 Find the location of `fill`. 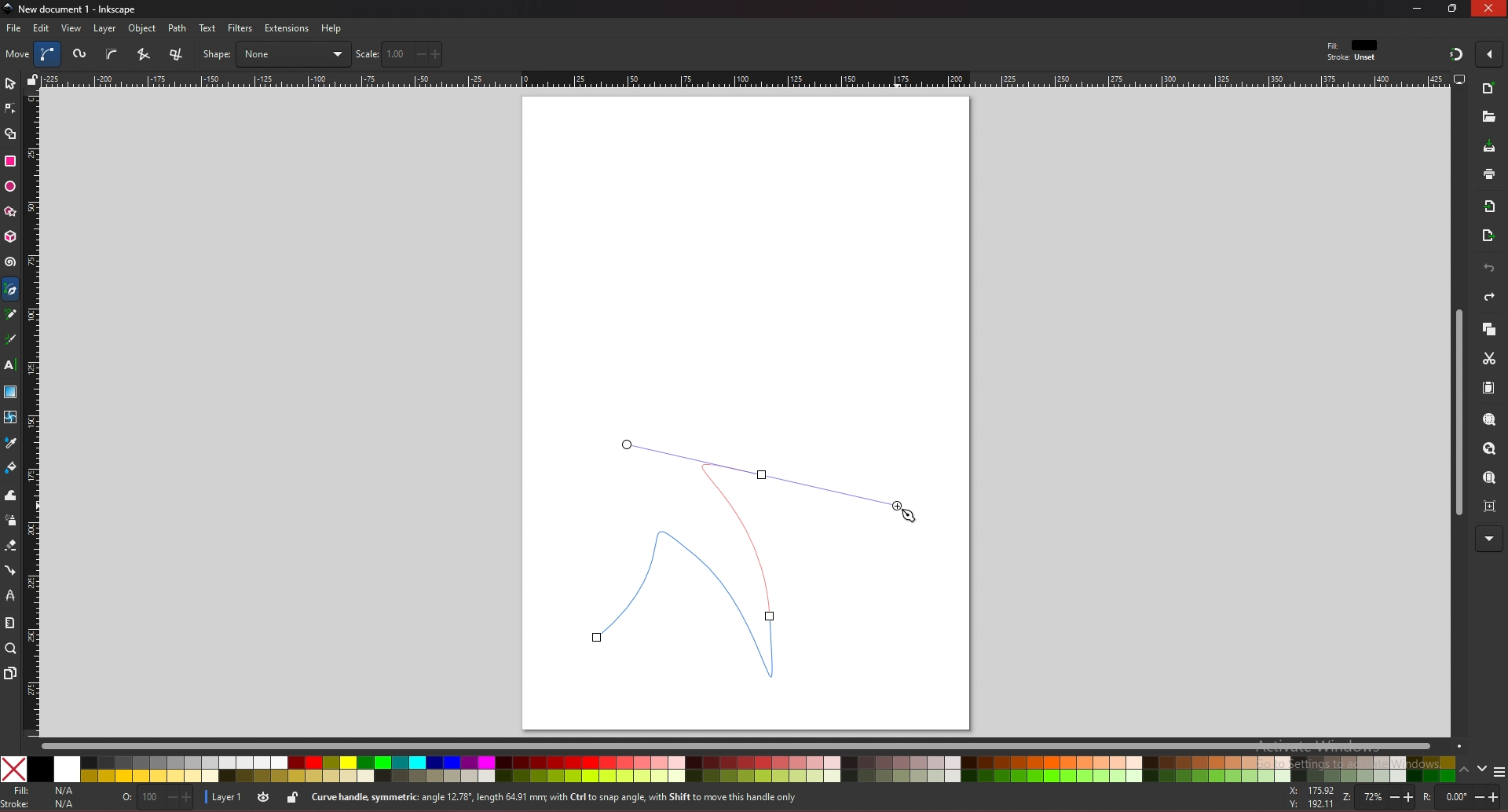

fill is located at coordinates (42, 791).